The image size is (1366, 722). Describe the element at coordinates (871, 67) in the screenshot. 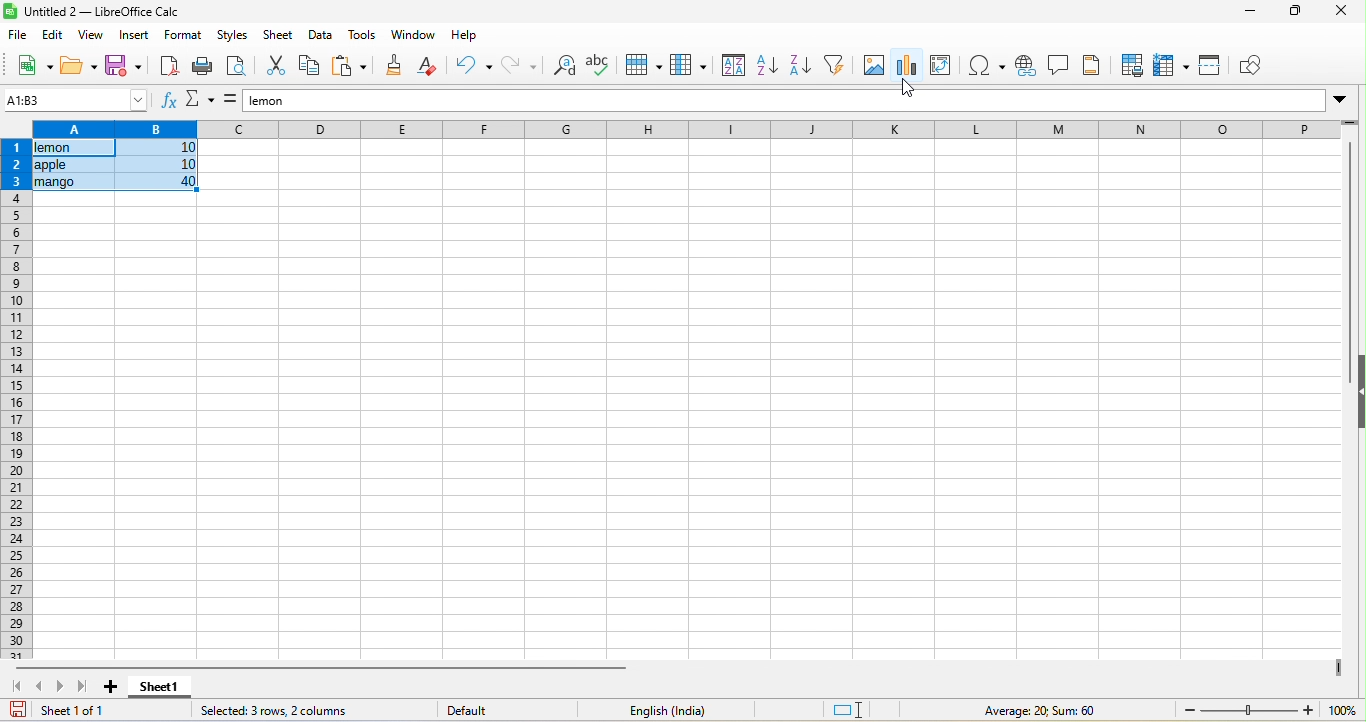

I see `image` at that location.